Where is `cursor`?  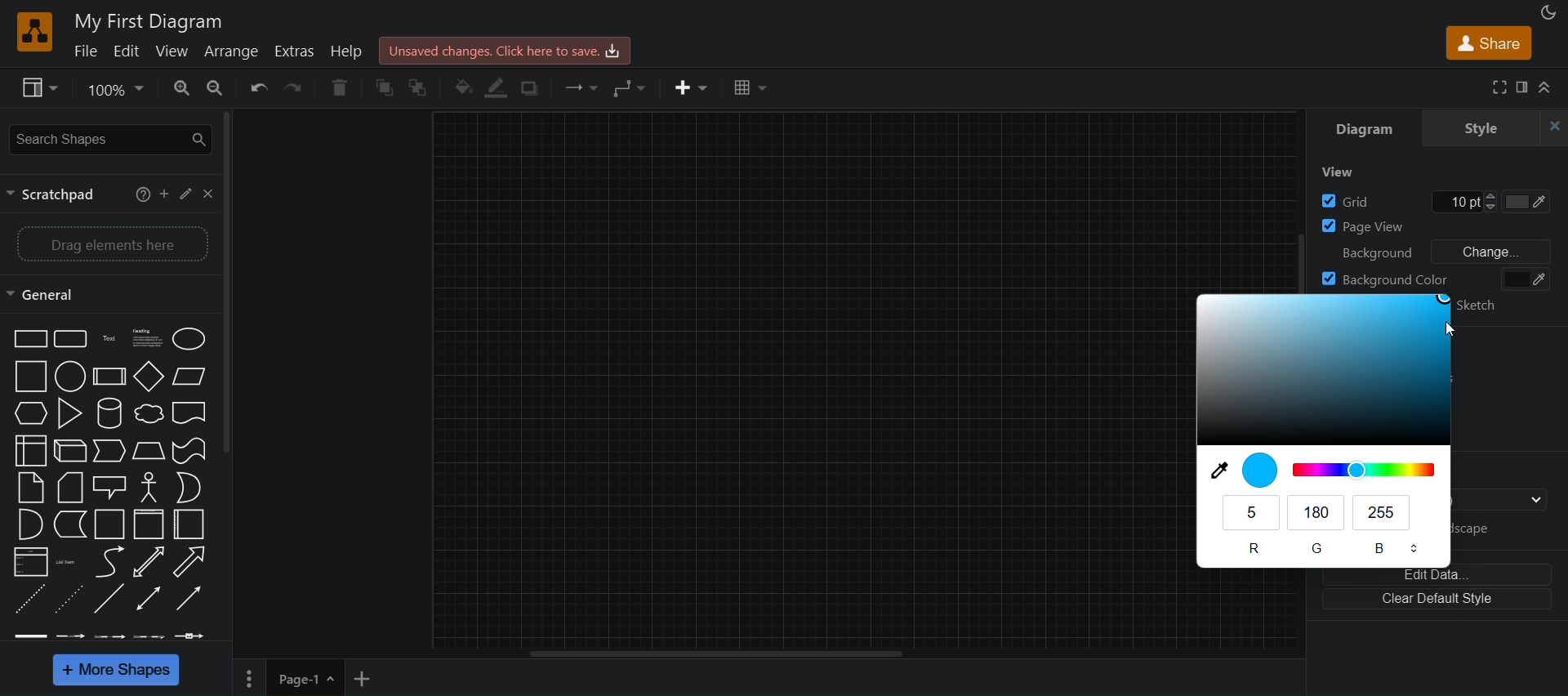
cursor is located at coordinates (1450, 330).